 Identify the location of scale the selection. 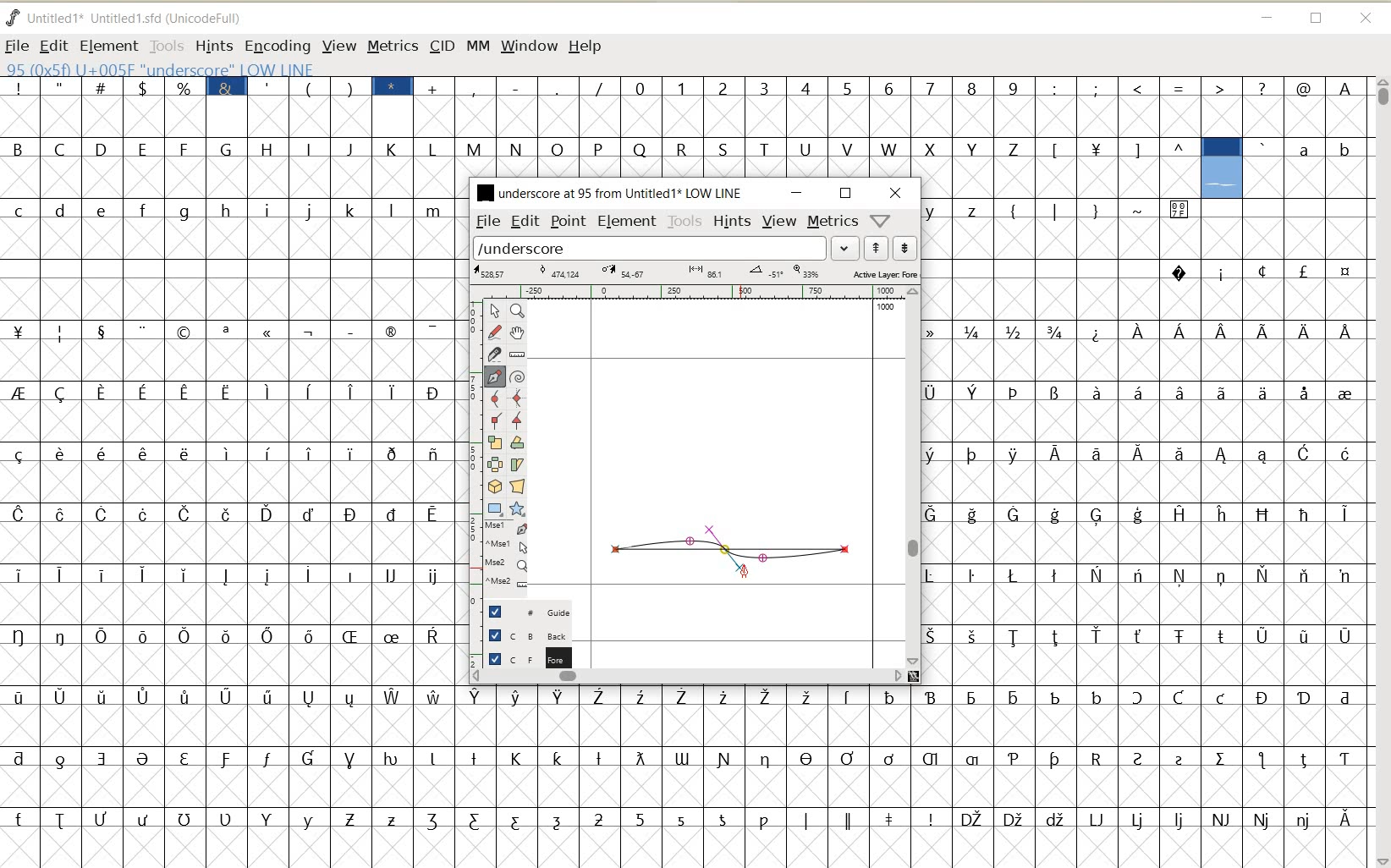
(493, 442).